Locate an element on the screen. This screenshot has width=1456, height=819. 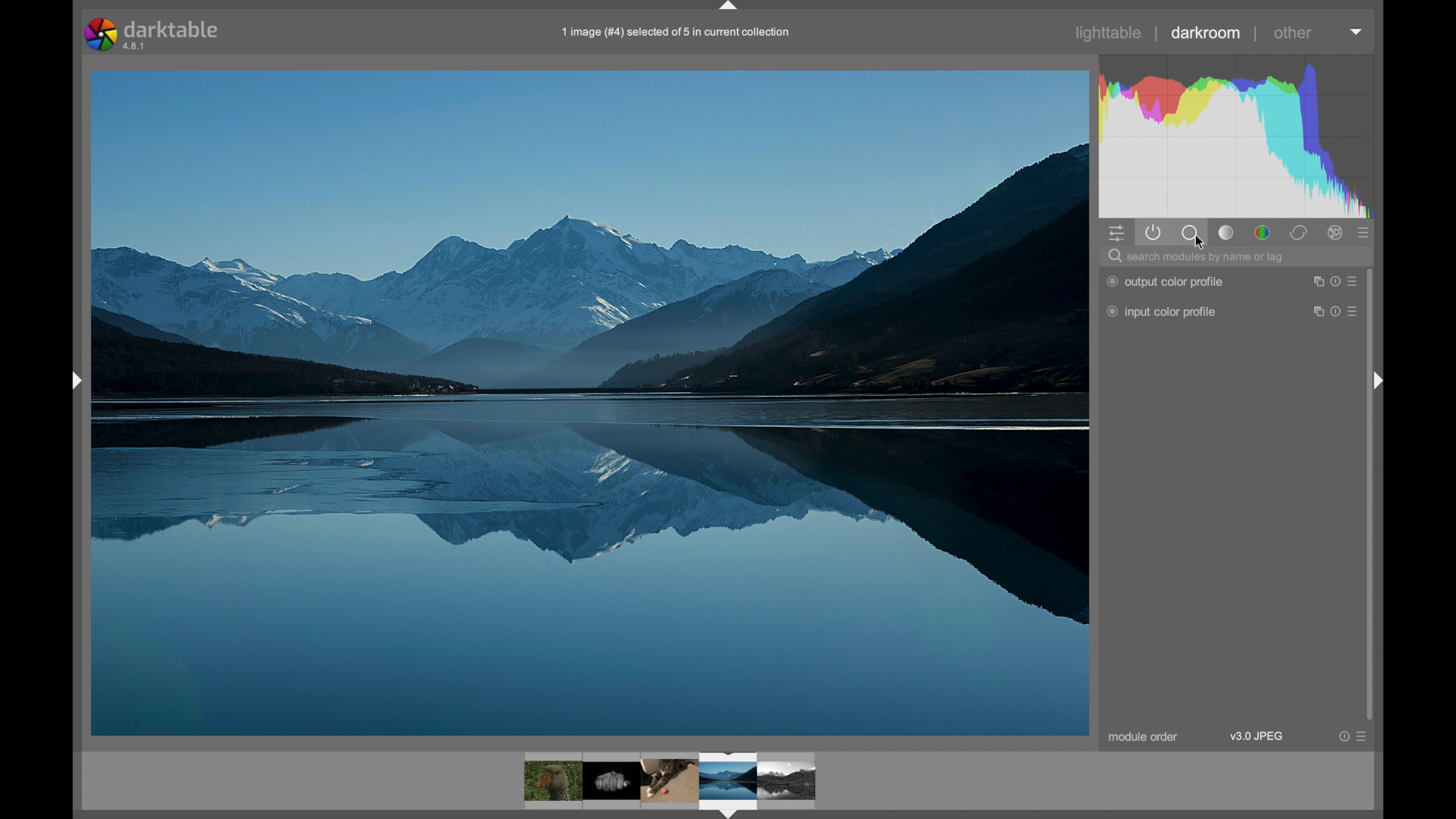
filename is located at coordinates (676, 32).